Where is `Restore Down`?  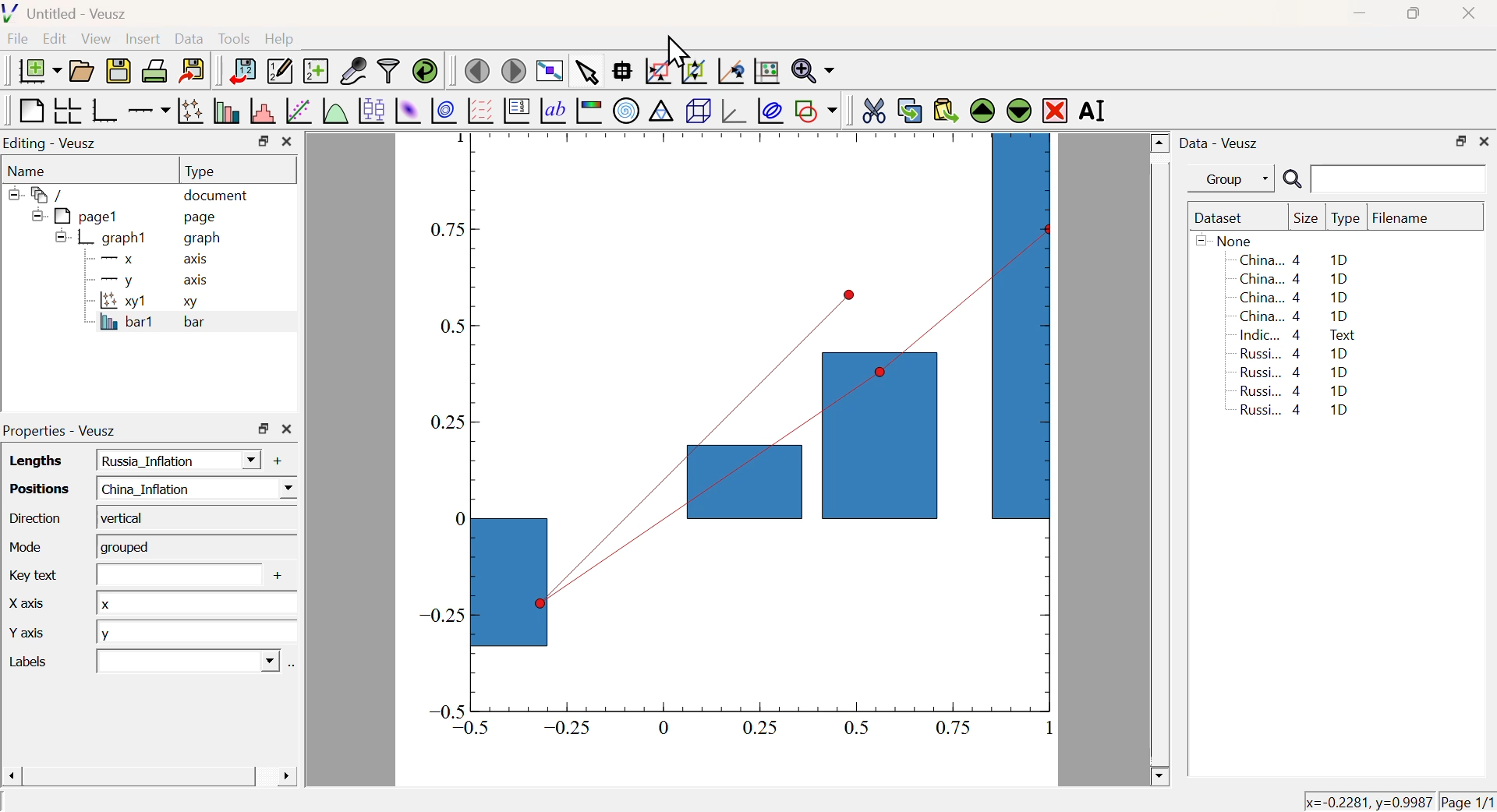 Restore Down is located at coordinates (264, 429).